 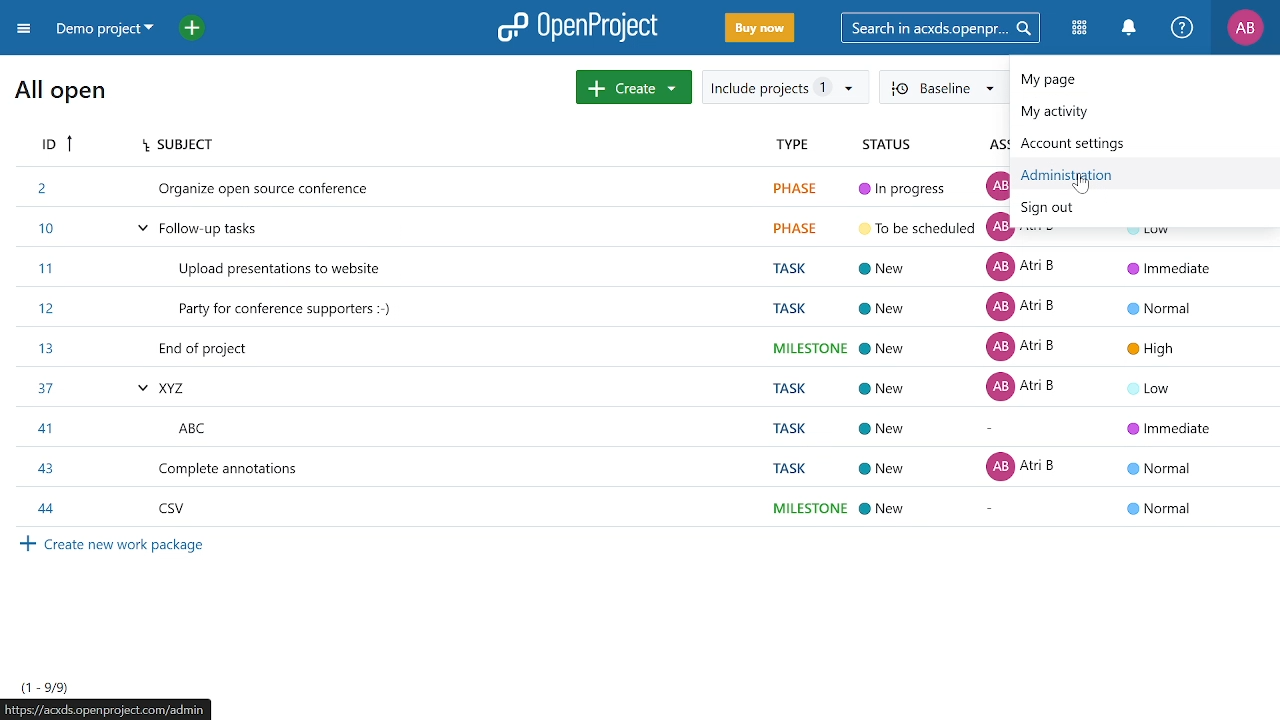 I want to click on Include projects, so click(x=785, y=87).